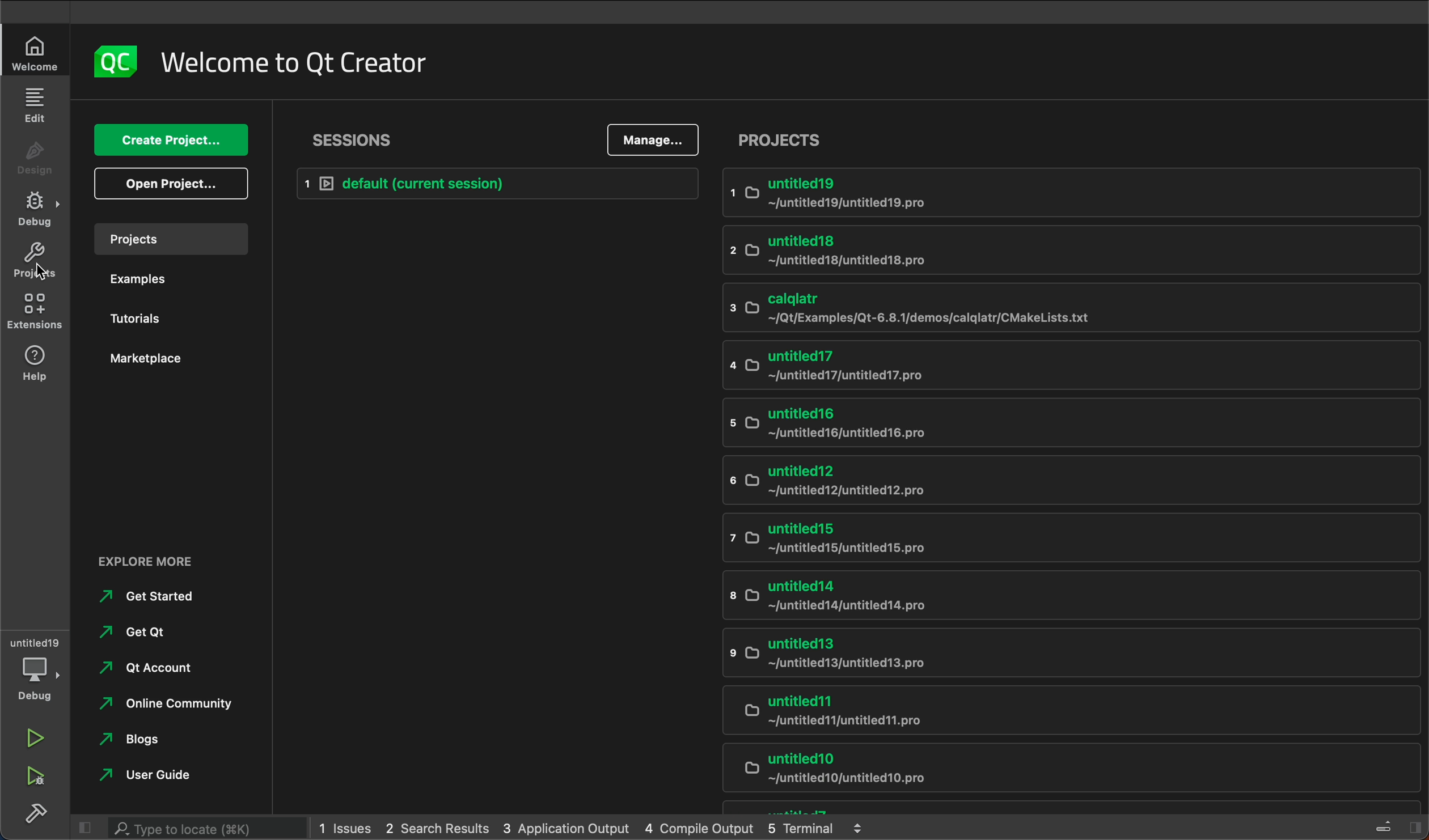  Describe the element at coordinates (1066, 709) in the screenshot. I see `untitled11` at that location.